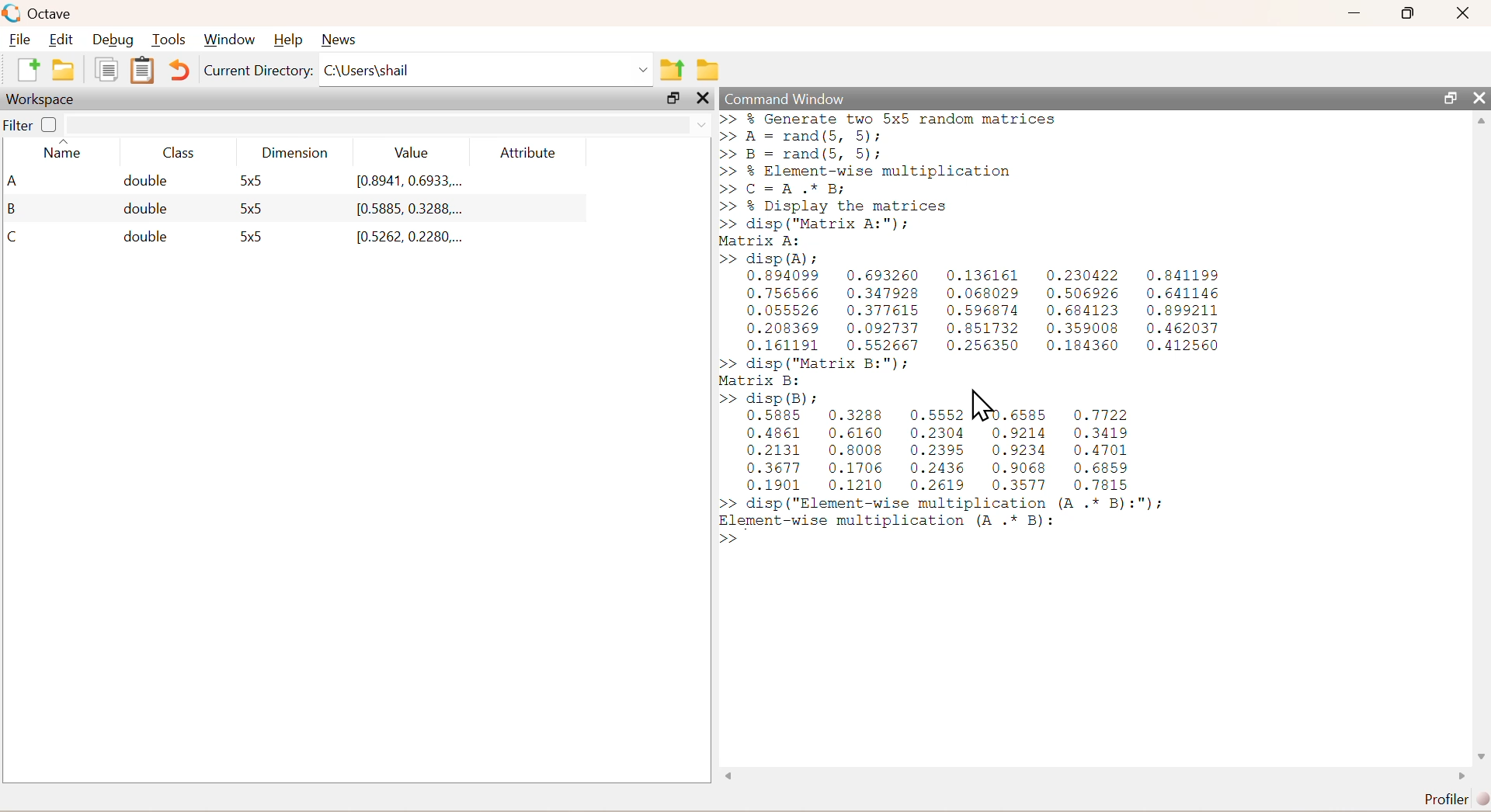 This screenshot has width=1491, height=812. What do you see at coordinates (1002, 338) in the screenshot?
I see `>> % Generate two 5x5 random matrices
>> A = rand(5, 5);
>> B = rand(5, 5);
>> % Element-wise multiplication
>> C=A .*B;
>> % Display the matrices
>> disp ("Matrix A:");
Matrix A:
>> disp (a);
0.894099 0.693260 0.136161 0.230422 0.841199
0.756566 0.347928 0.068029 0.506926 0.641146
0.055526 0.377615 0.596874 0.684123 0.899211
0.208369 0.092737 0.851732 0.359008 0.462037
0.161191 0.552667 0.256350 0.184360 0.412560
>> disp ("Matrix B:");
Matrix B:
>> disp (B); NS
0.5885 0.3288 0.5552 6585 0.7722
0.4861 0.6160 0.2304 0.9214 0.3419
0.2131 0.8008 0.2395 0.9234 0.4701
0.3677 0.1706 0.2436 0.9068 0.6859
0.1901 0.1210 0.2619 0.3577 0.7815
>> disp ("Element-wise multiplication (A .* B):");
Element-wise multiplication (A .* B):
>>` at bounding box center [1002, 338].